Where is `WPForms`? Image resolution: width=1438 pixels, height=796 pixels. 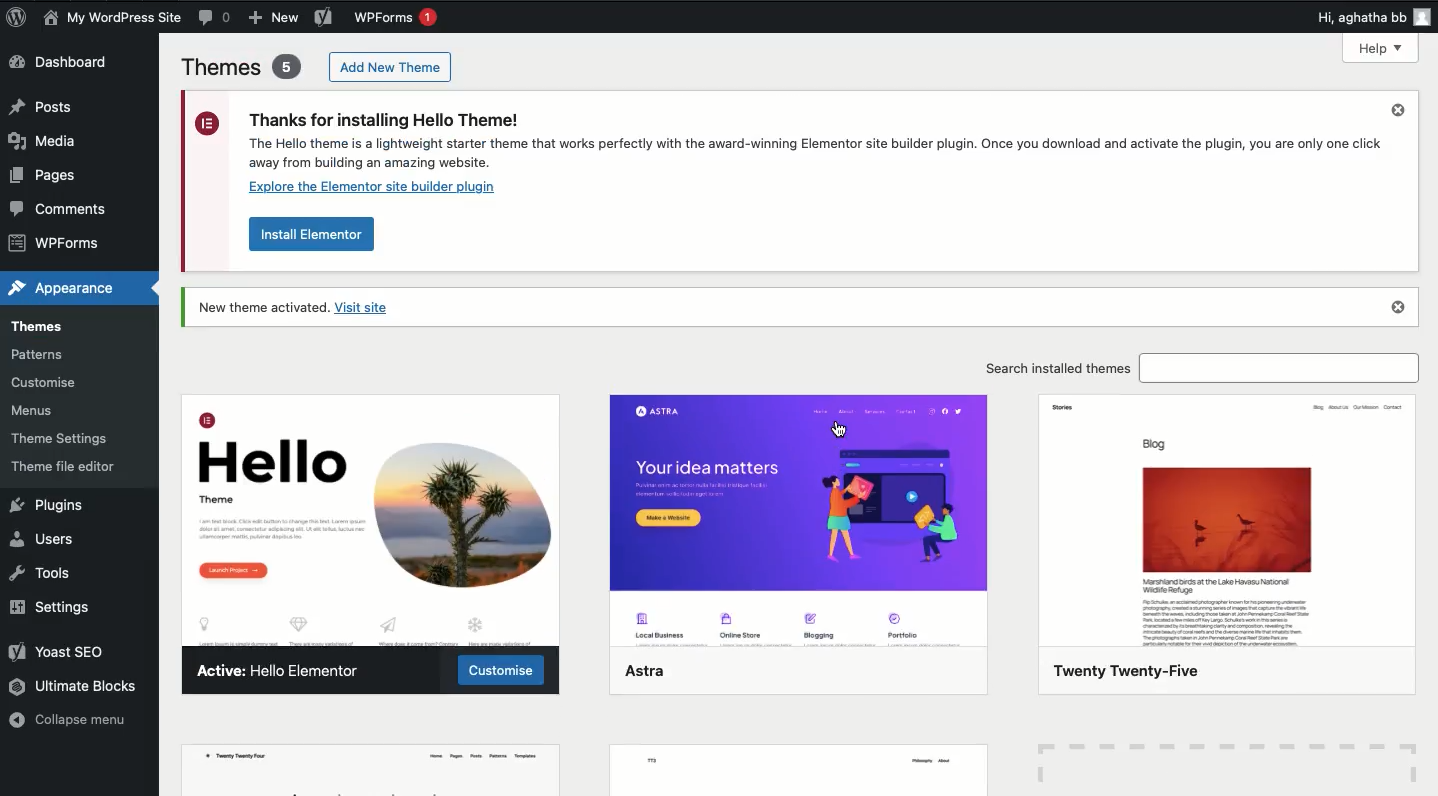 WPForms is located at coordinates (401, 18).